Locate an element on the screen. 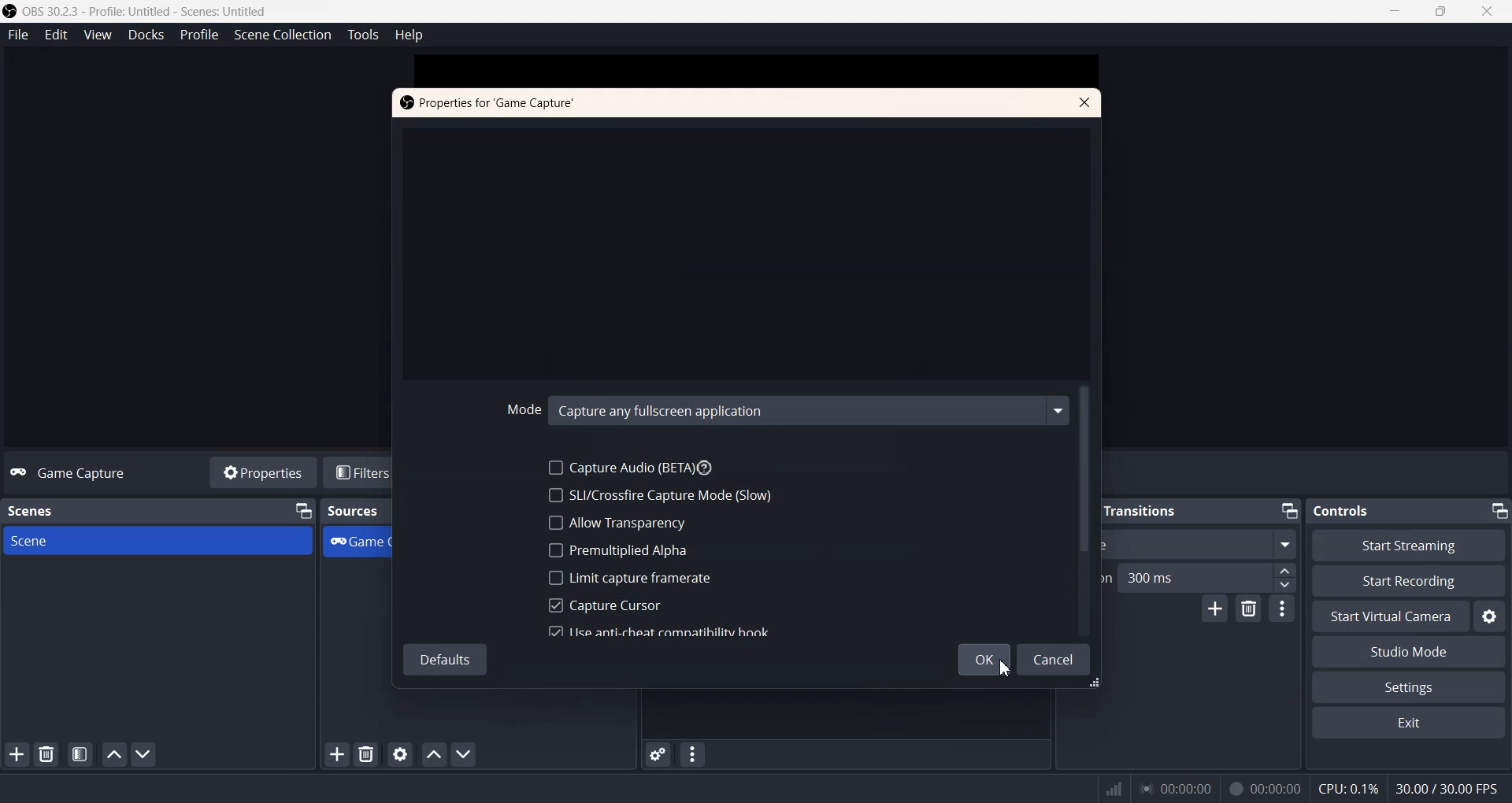  Settings is located at coordinates (1490, 616).